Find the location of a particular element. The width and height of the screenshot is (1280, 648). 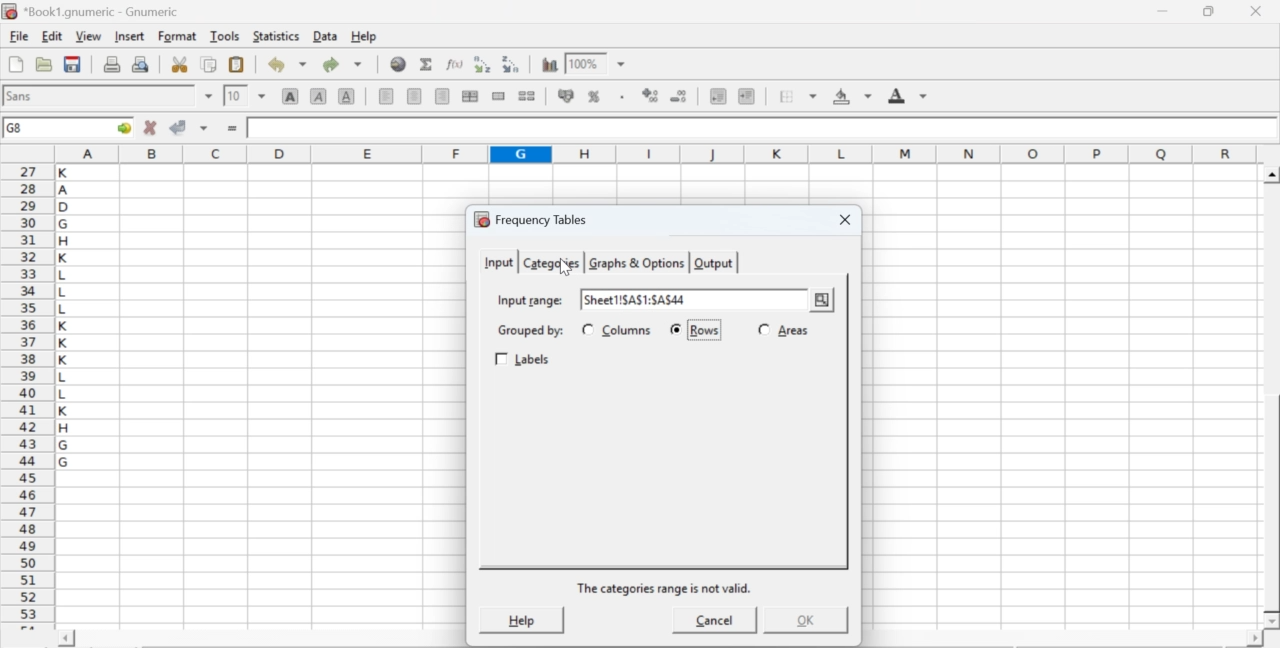

format selection as percentage is located at coordinates (592, 96).